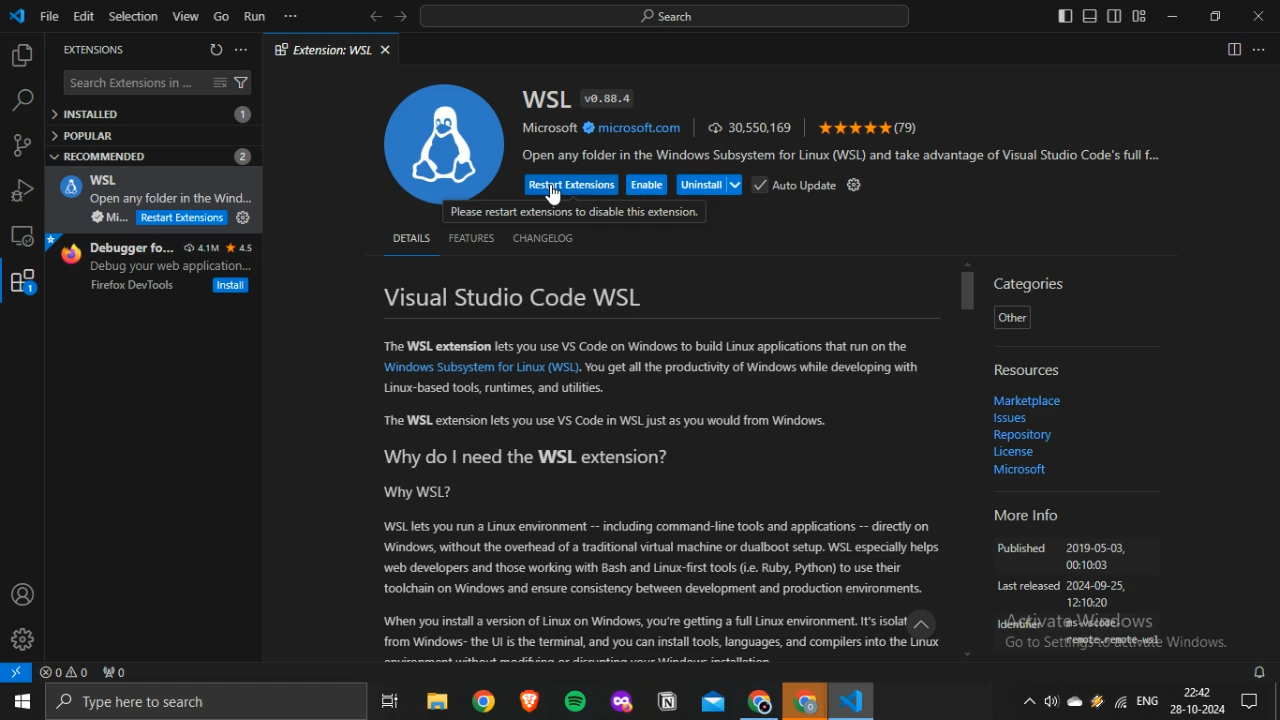  Describe the element at coordinates (795, 185) in the screenshot. I see `Auto Update` at that location.